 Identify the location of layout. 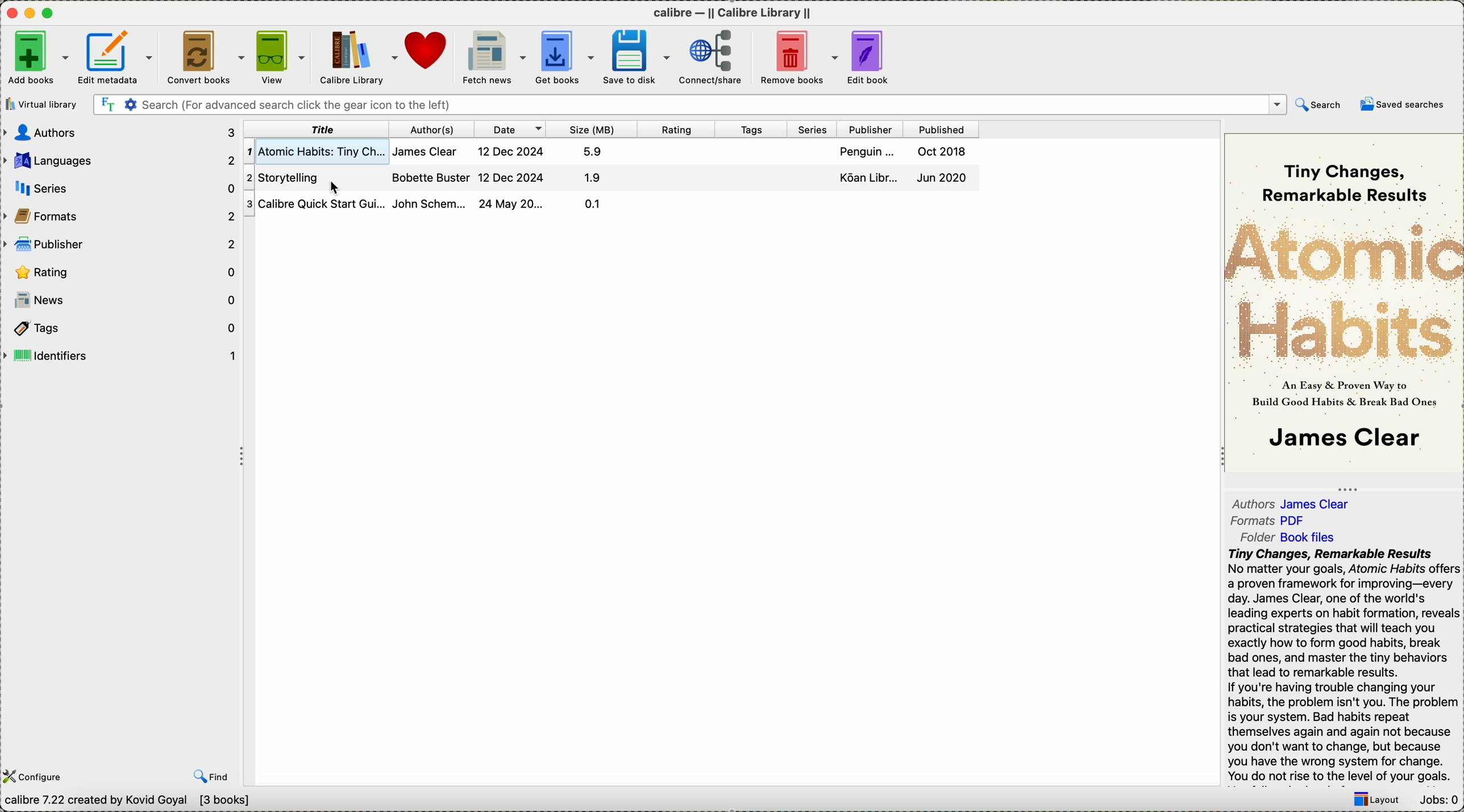
(1373, 799).